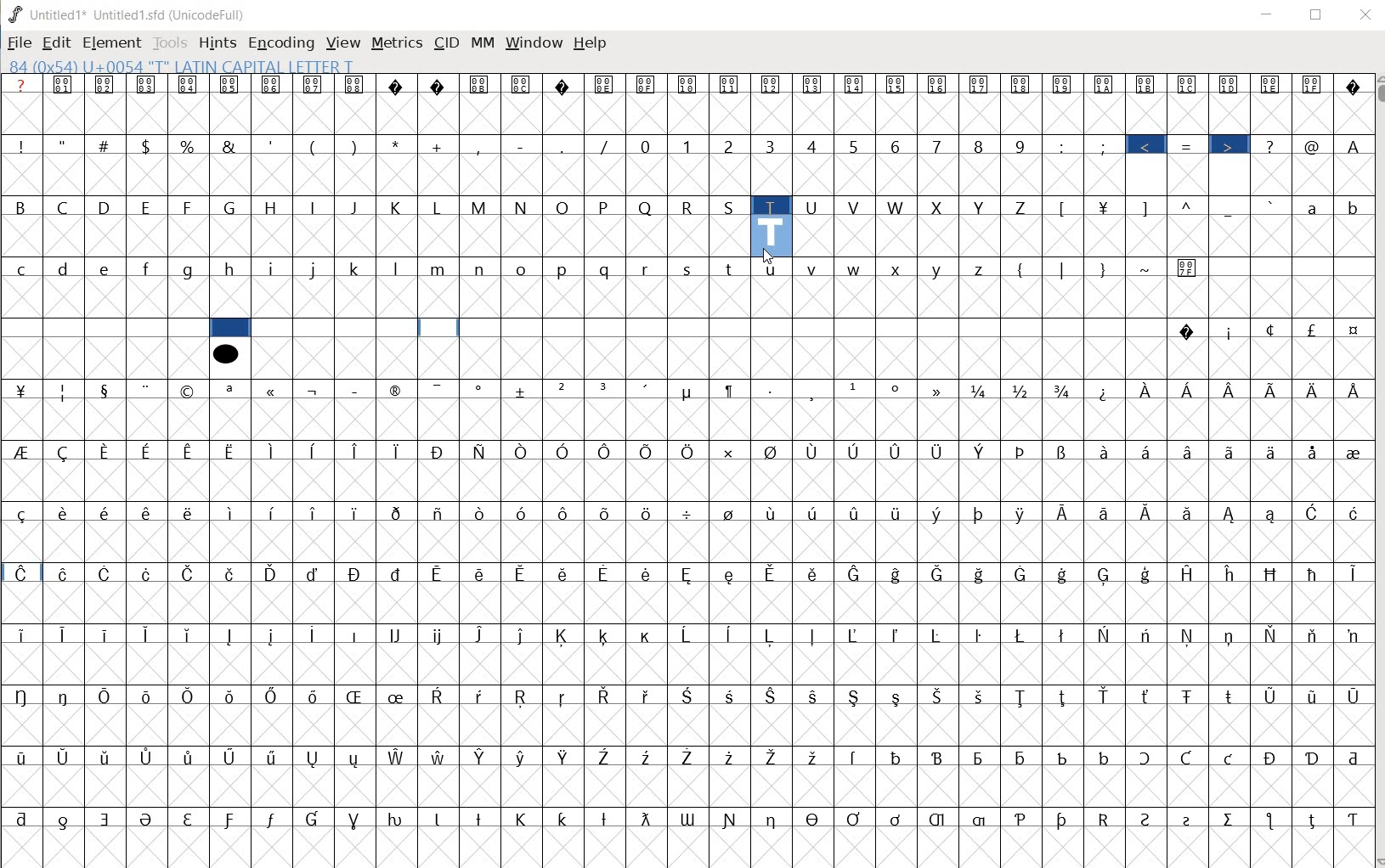  I want to click on Symbol, so click(231, 390).